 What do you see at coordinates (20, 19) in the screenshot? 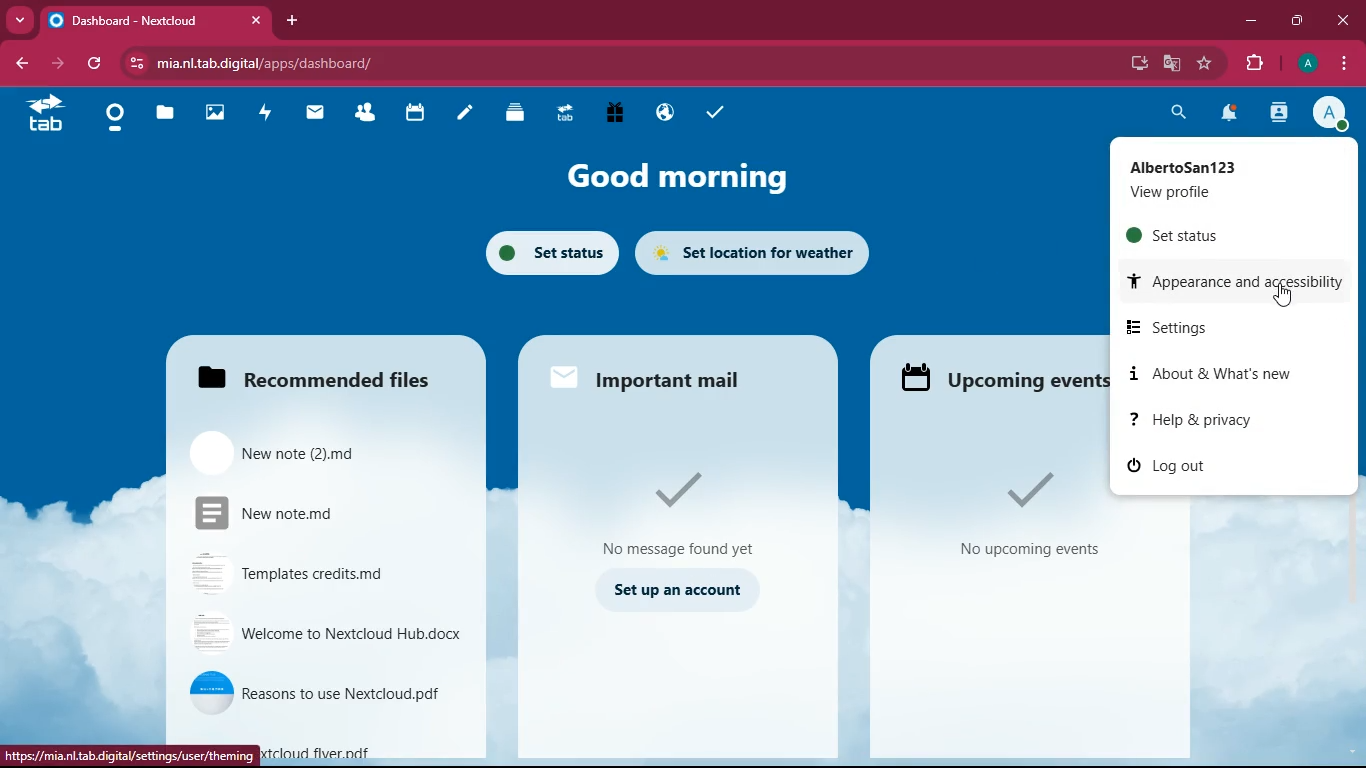
I see `more` at bounding box center [20, 19].